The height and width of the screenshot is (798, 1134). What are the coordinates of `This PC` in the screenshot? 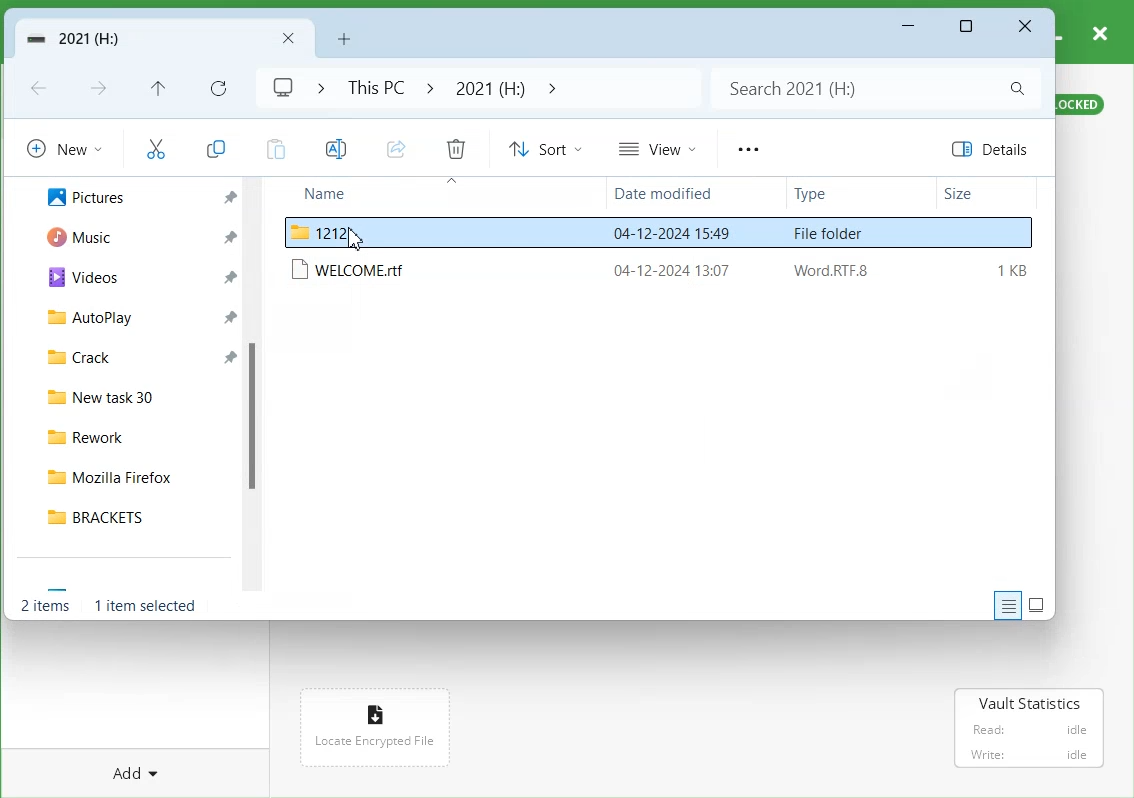 It's located at (372, 87).